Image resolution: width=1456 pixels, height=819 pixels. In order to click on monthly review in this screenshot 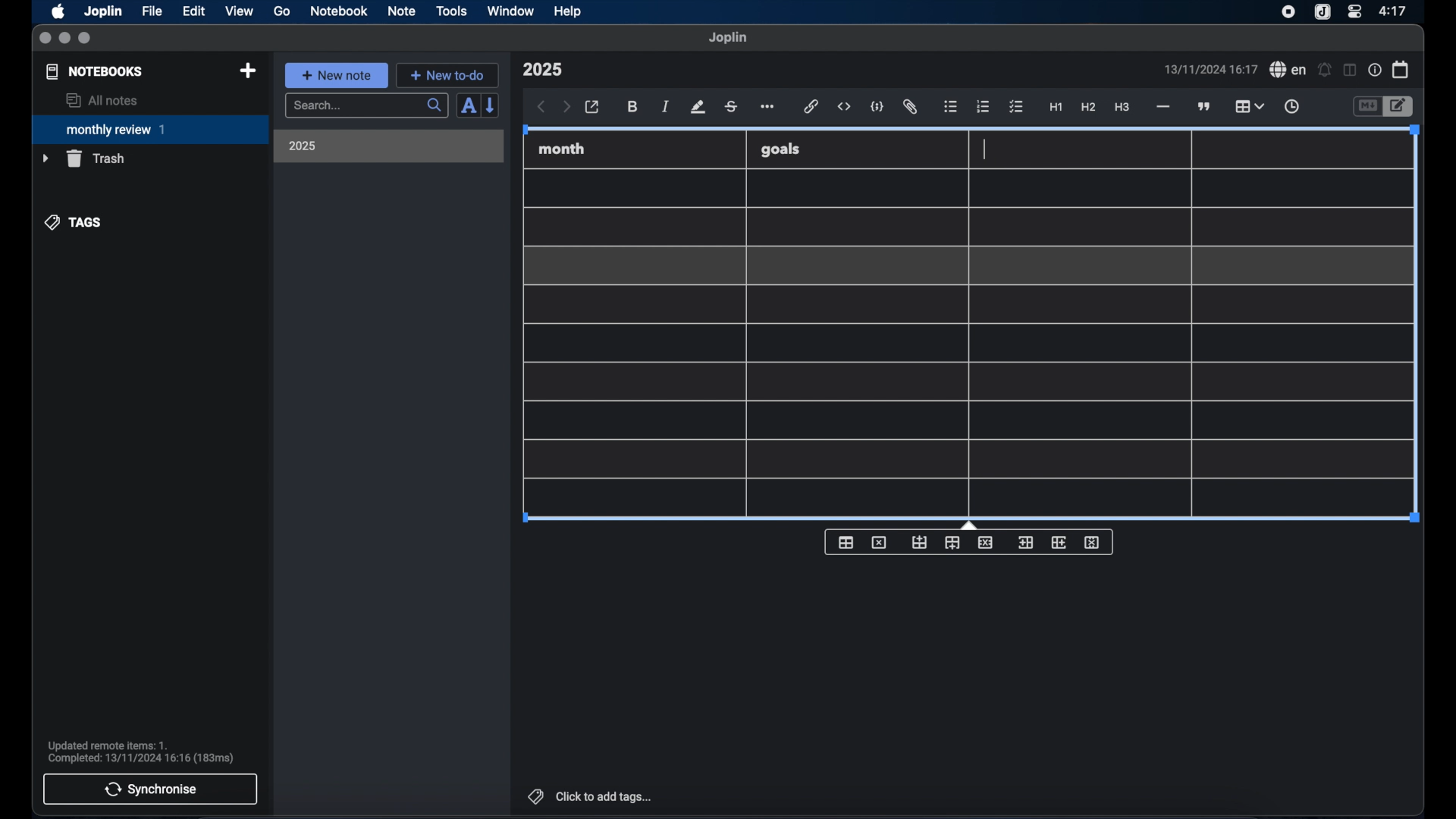, I will do `click(150, 128)`.